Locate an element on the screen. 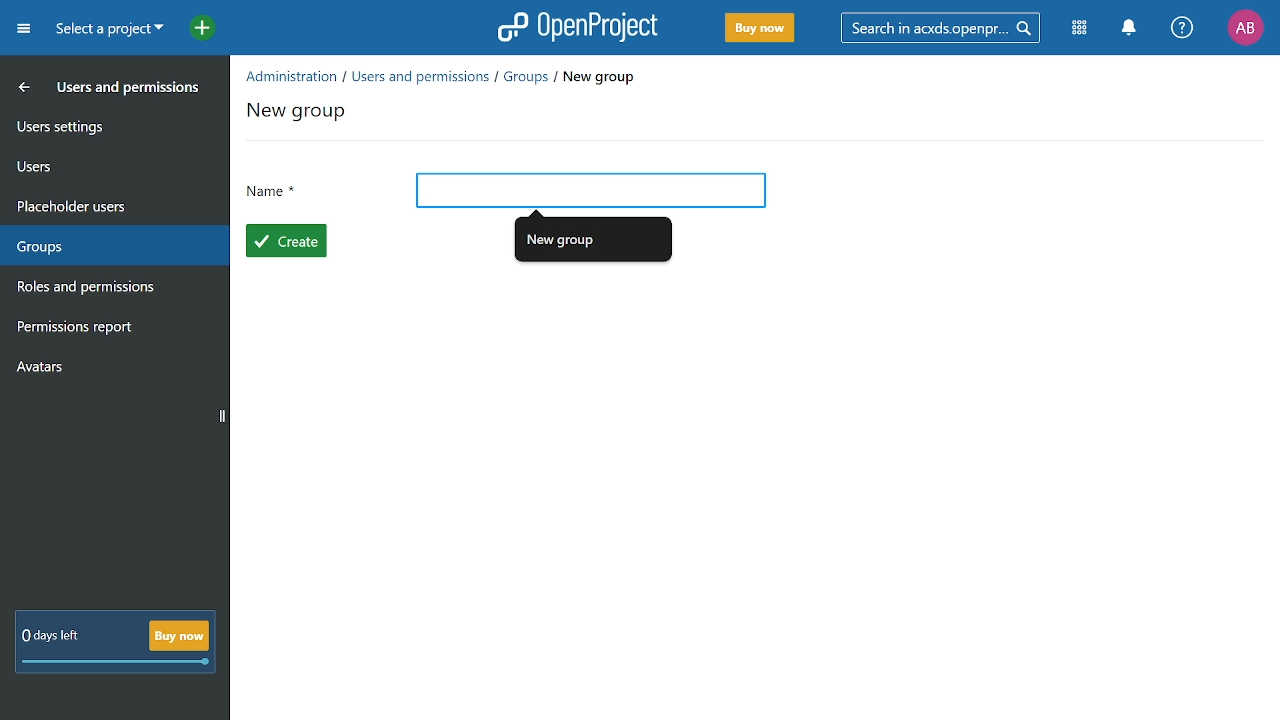  New group is located at coordinates (299, 115).